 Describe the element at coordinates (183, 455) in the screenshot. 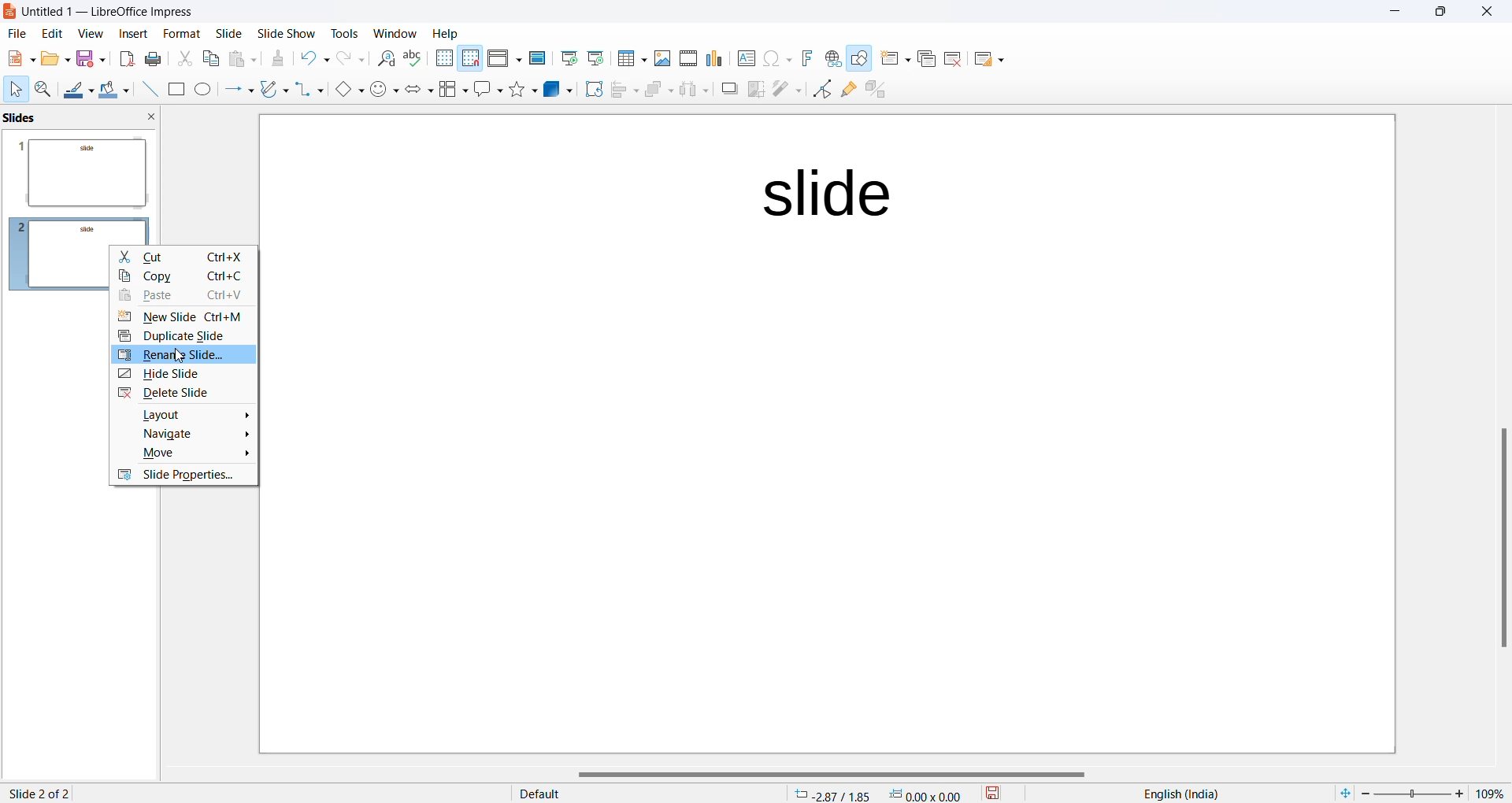

I see `move` at that location.